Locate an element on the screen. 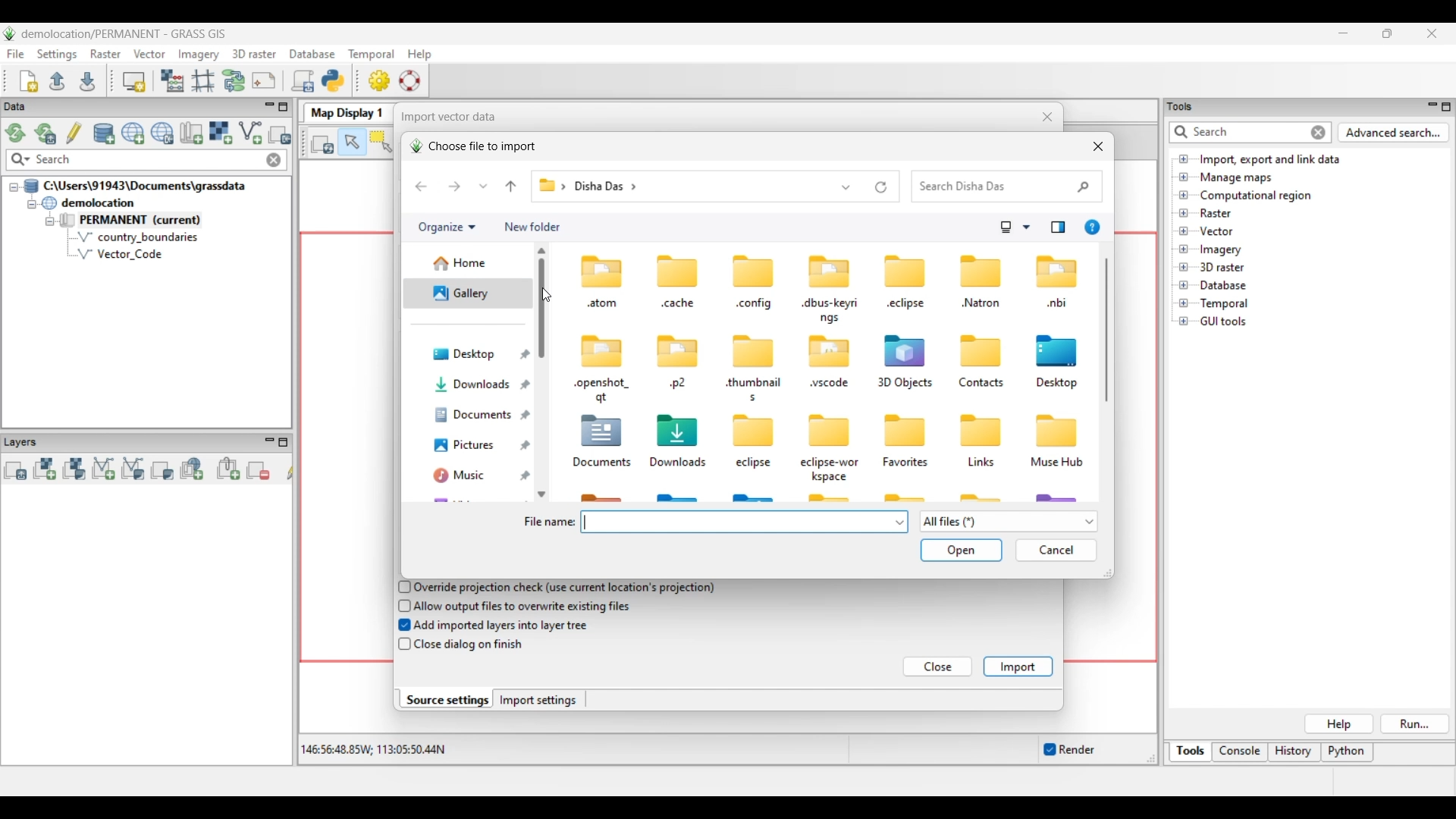 Image resolution: width=1456 pixels, height=819 pixels. Allow edits outside of the current mapset is located at coordinates (74, 133).